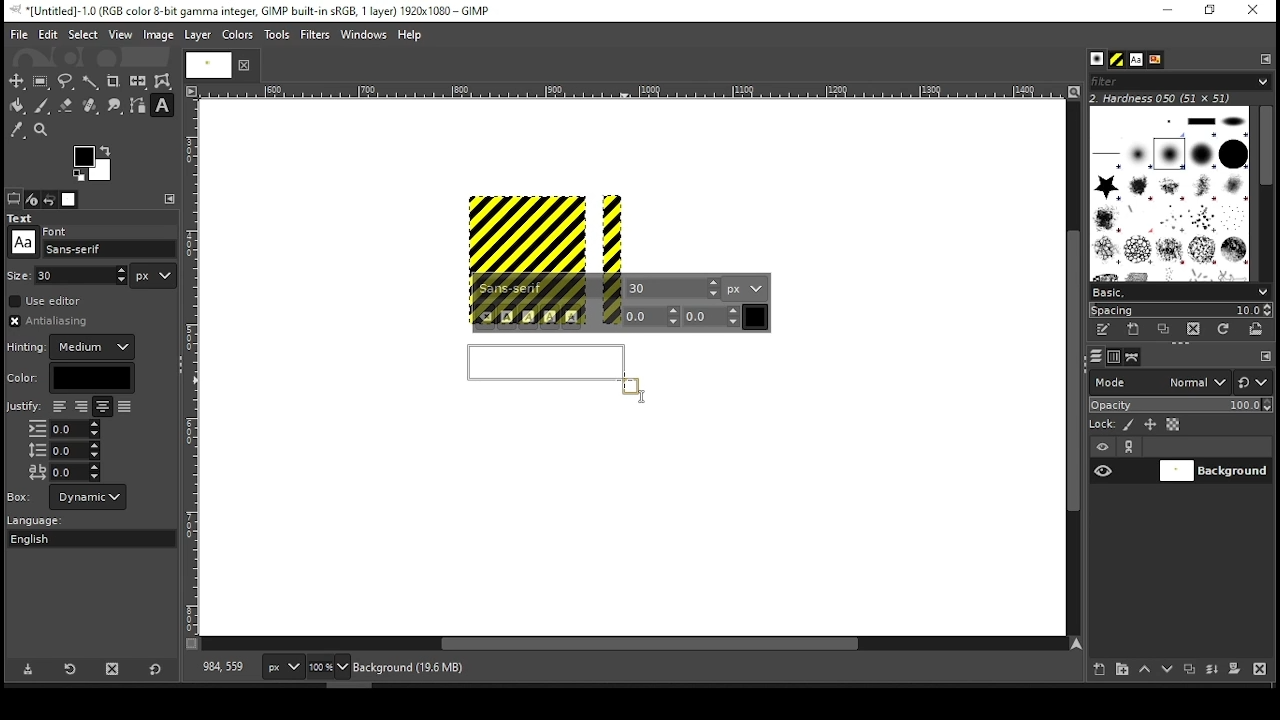 This screenshot has height=720, width=1280. What do you see at coordinates (59, 406) in the screenshot?
I see `justify left` at bounding box center [59, 406].